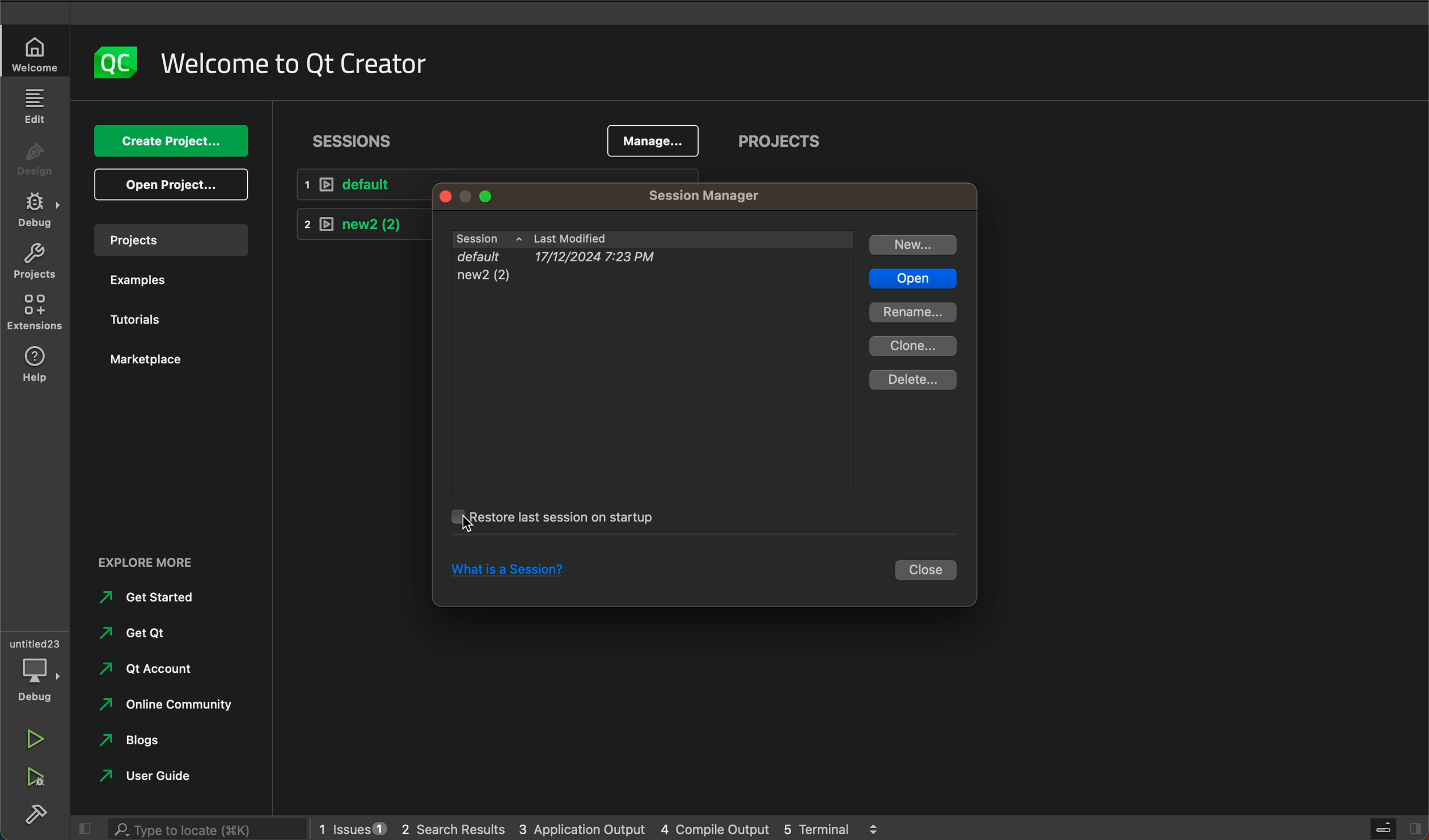 The height and width of the screenshot is (840, 1429). What do you see at coordinates (150, 562) in the screenshot?
I see `EXPLORE MORE` at bounding box center [150, 562].